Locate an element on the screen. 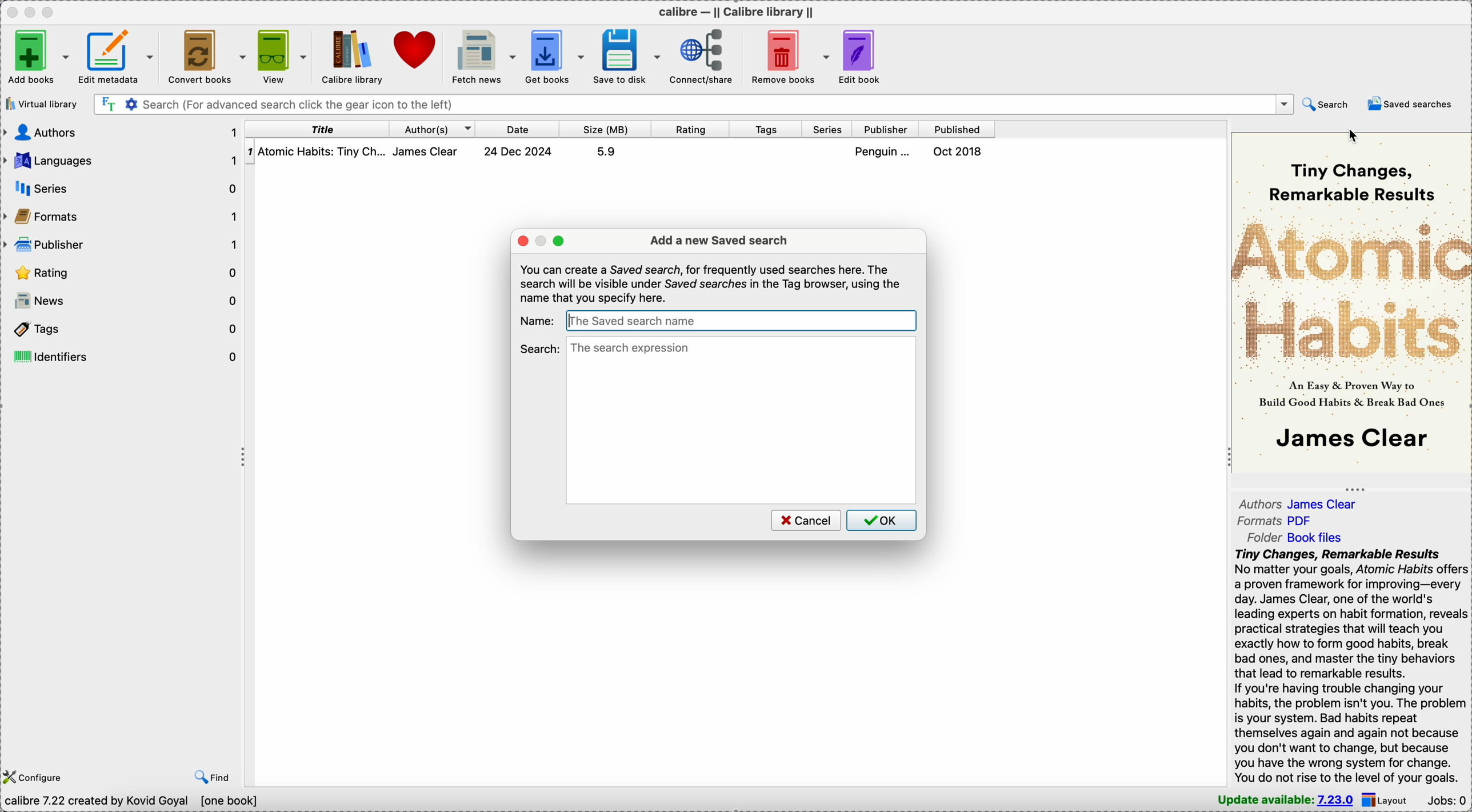 The width and height of the screenshot is (1472, 812). You can create a Saved search, for frequently used searches here. The search will be visible under Saved searches in the Tag browser, using the name that you specify here. is located at coordinates (711, 283).